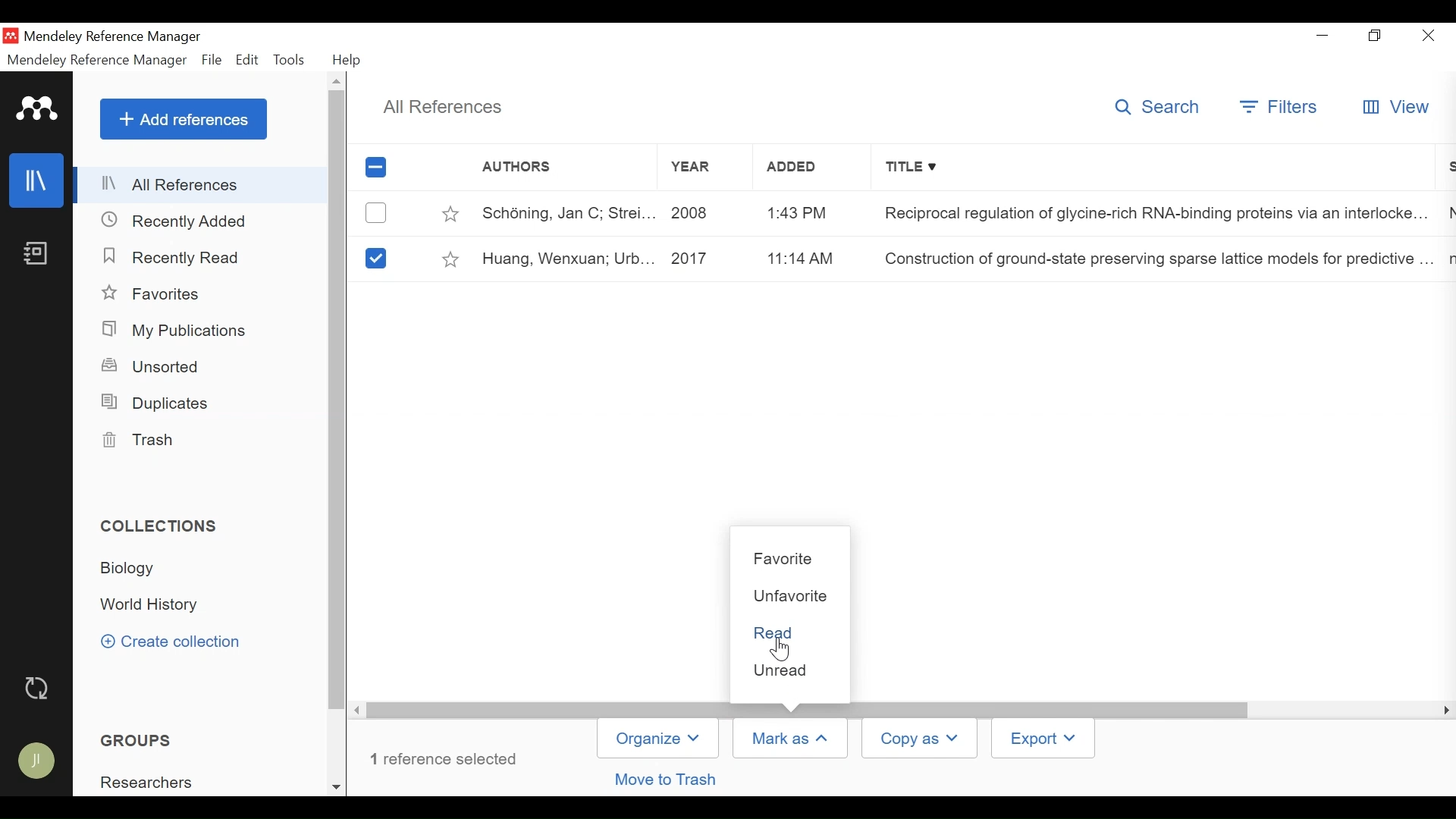  I want to click on Toggle Favorites, so click(447, 215).